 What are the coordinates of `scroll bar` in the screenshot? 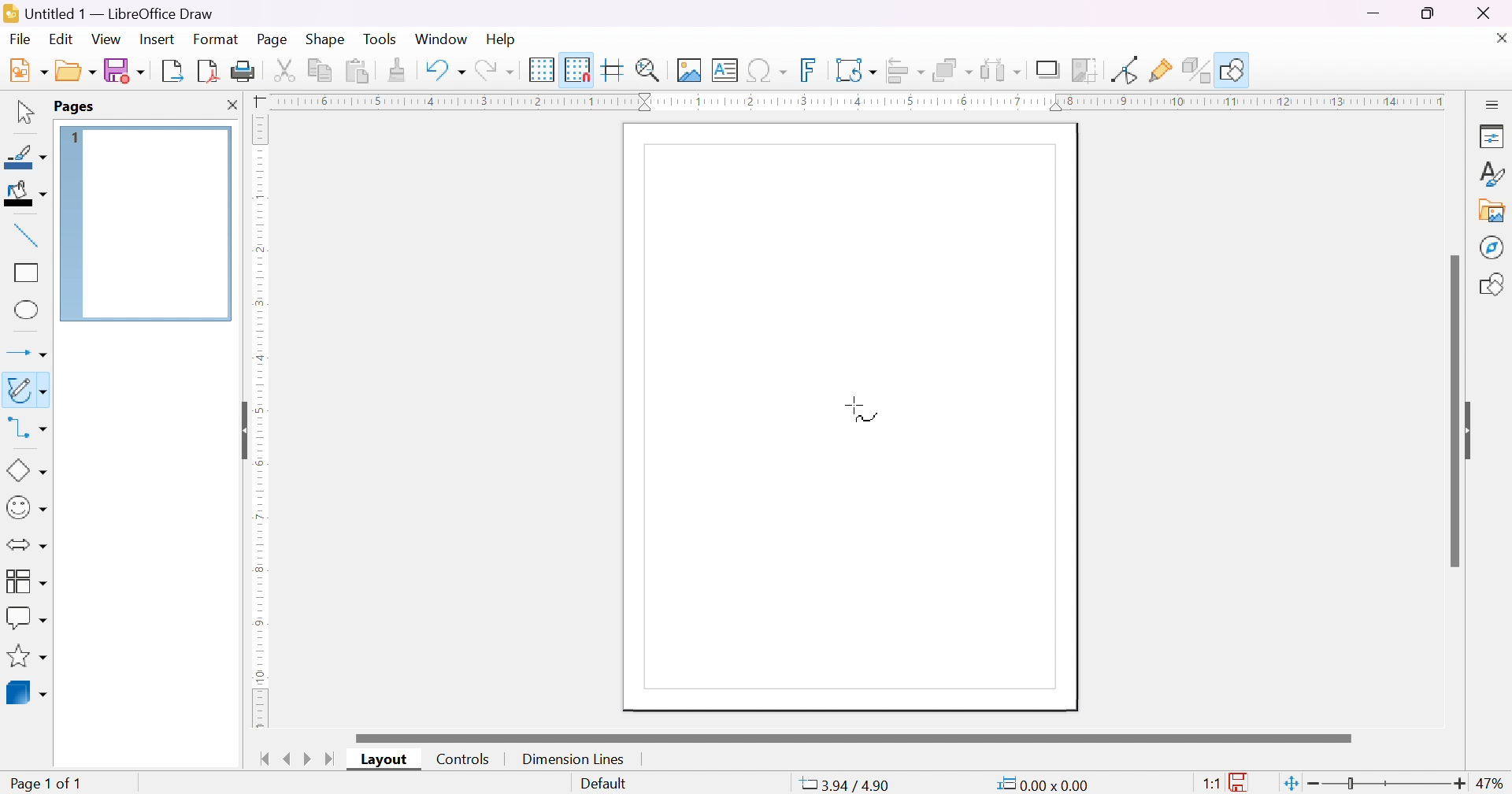 It's located at (854, 737).